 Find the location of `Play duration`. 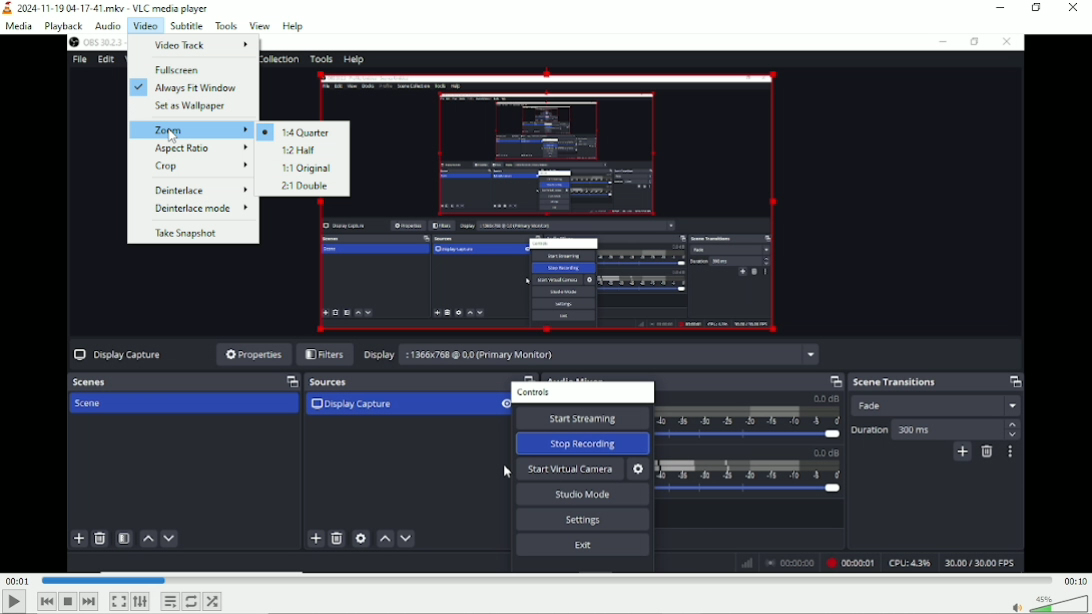

Play duration is located at coordinates (545, 580).